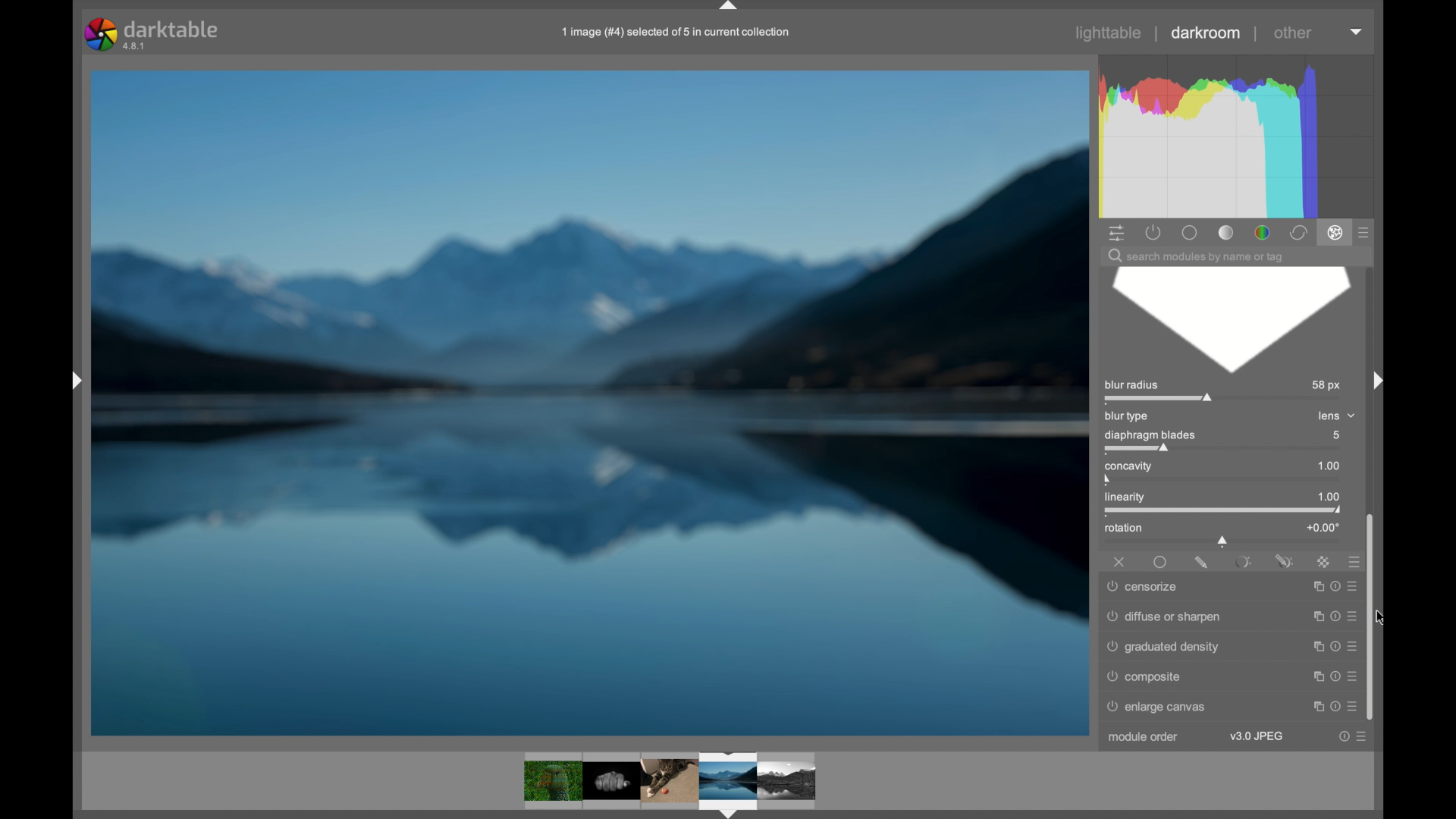 The image size is (1456, 819). I want to click on blur diaphragm blade, so click(1228, 321).